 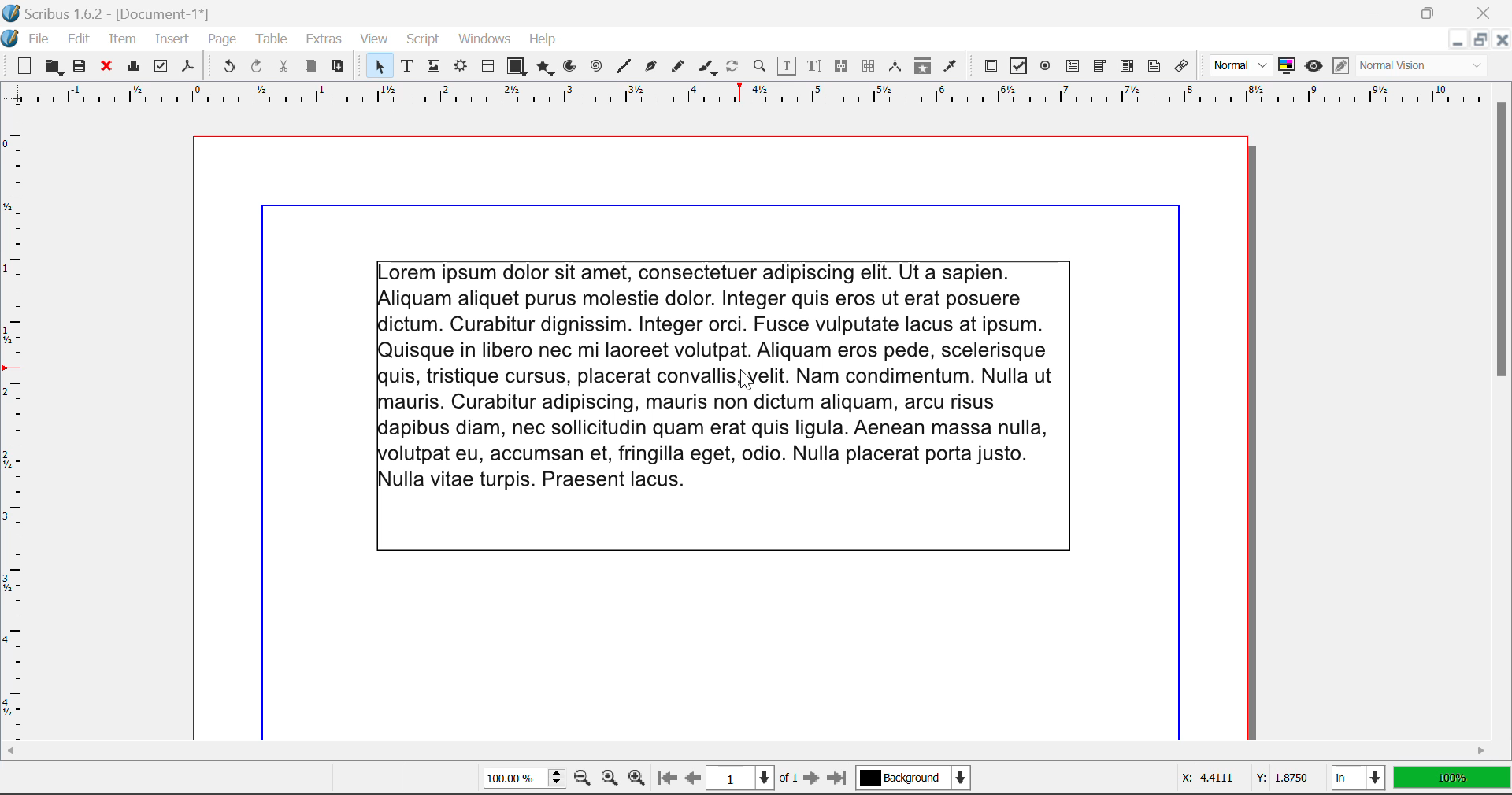 I want to click on Last Page, so click(x=840, y=781).